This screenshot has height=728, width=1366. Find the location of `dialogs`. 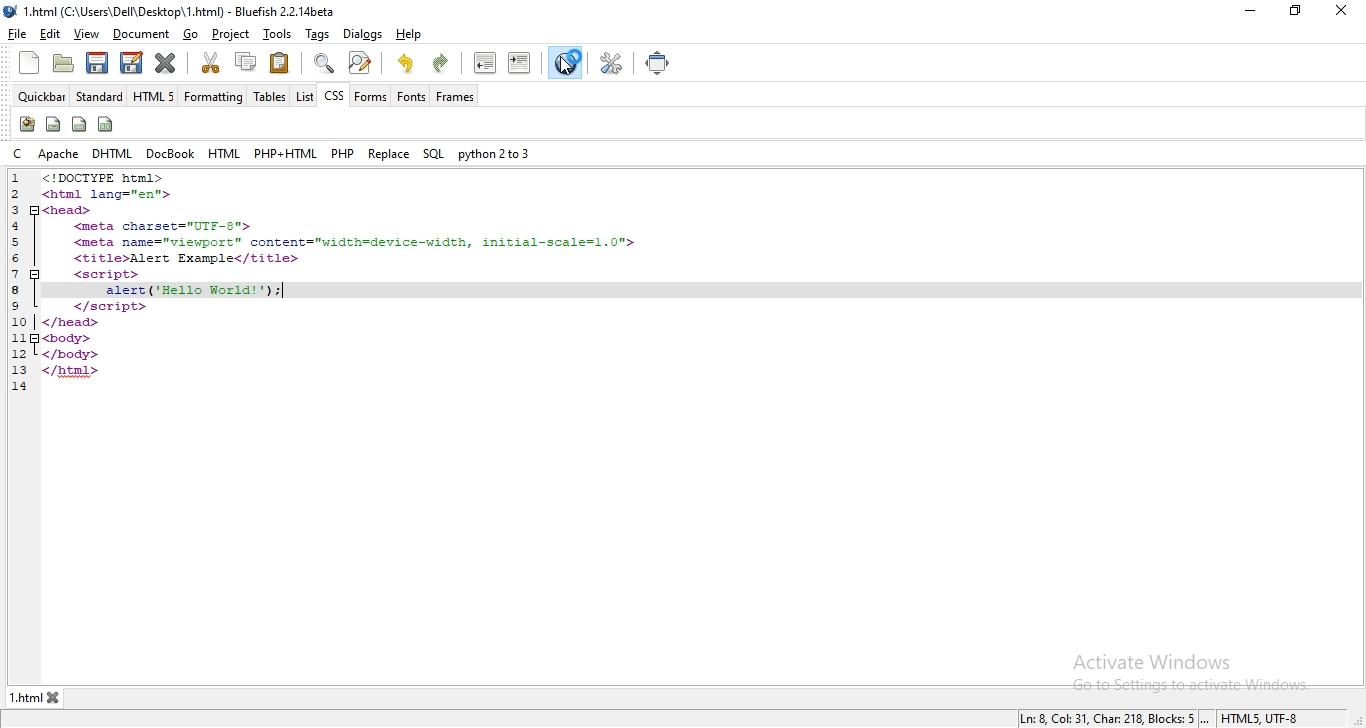

dialogs is located at coordinates (361, 34).